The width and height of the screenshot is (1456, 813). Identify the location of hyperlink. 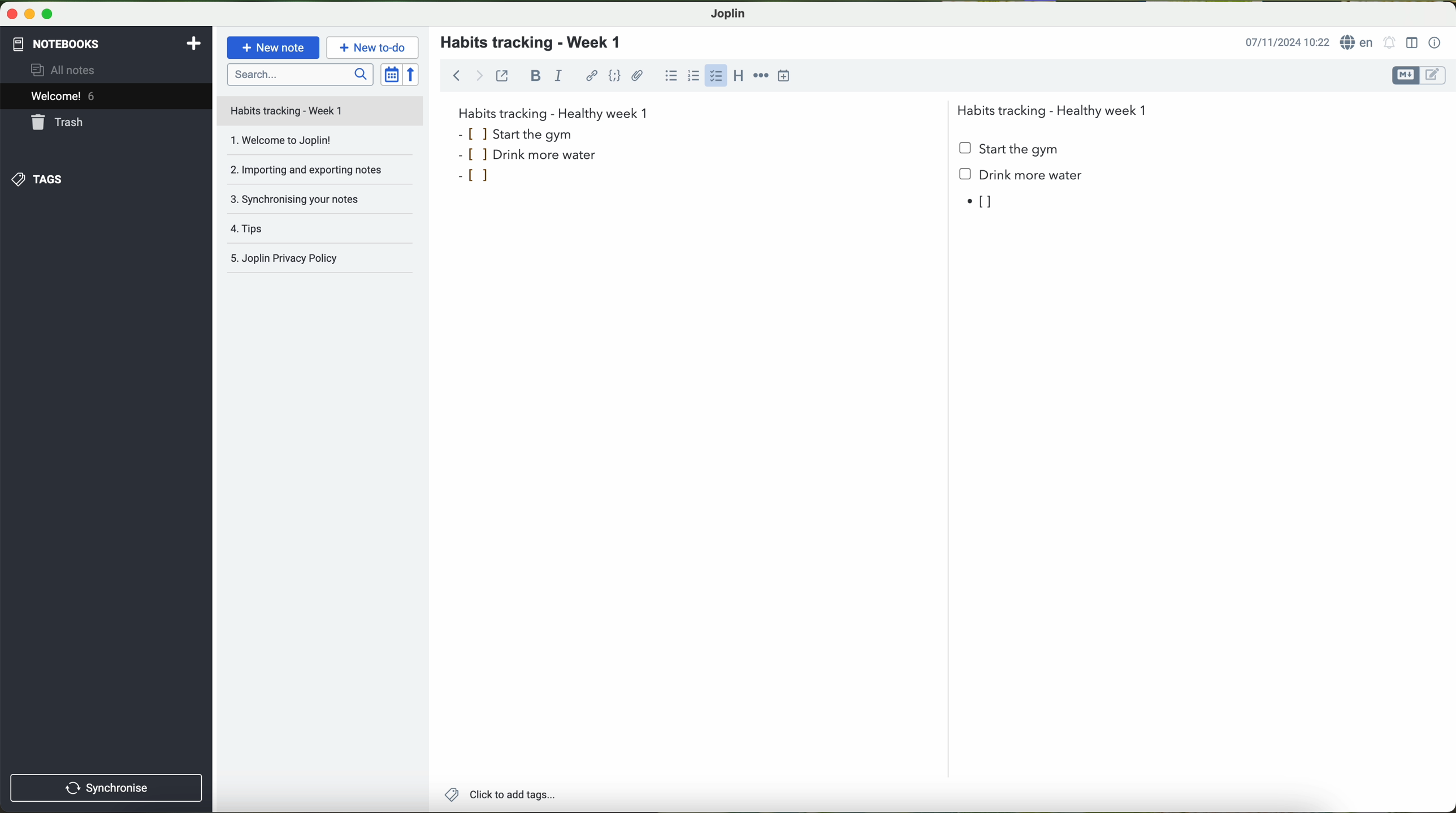
(592, 76).